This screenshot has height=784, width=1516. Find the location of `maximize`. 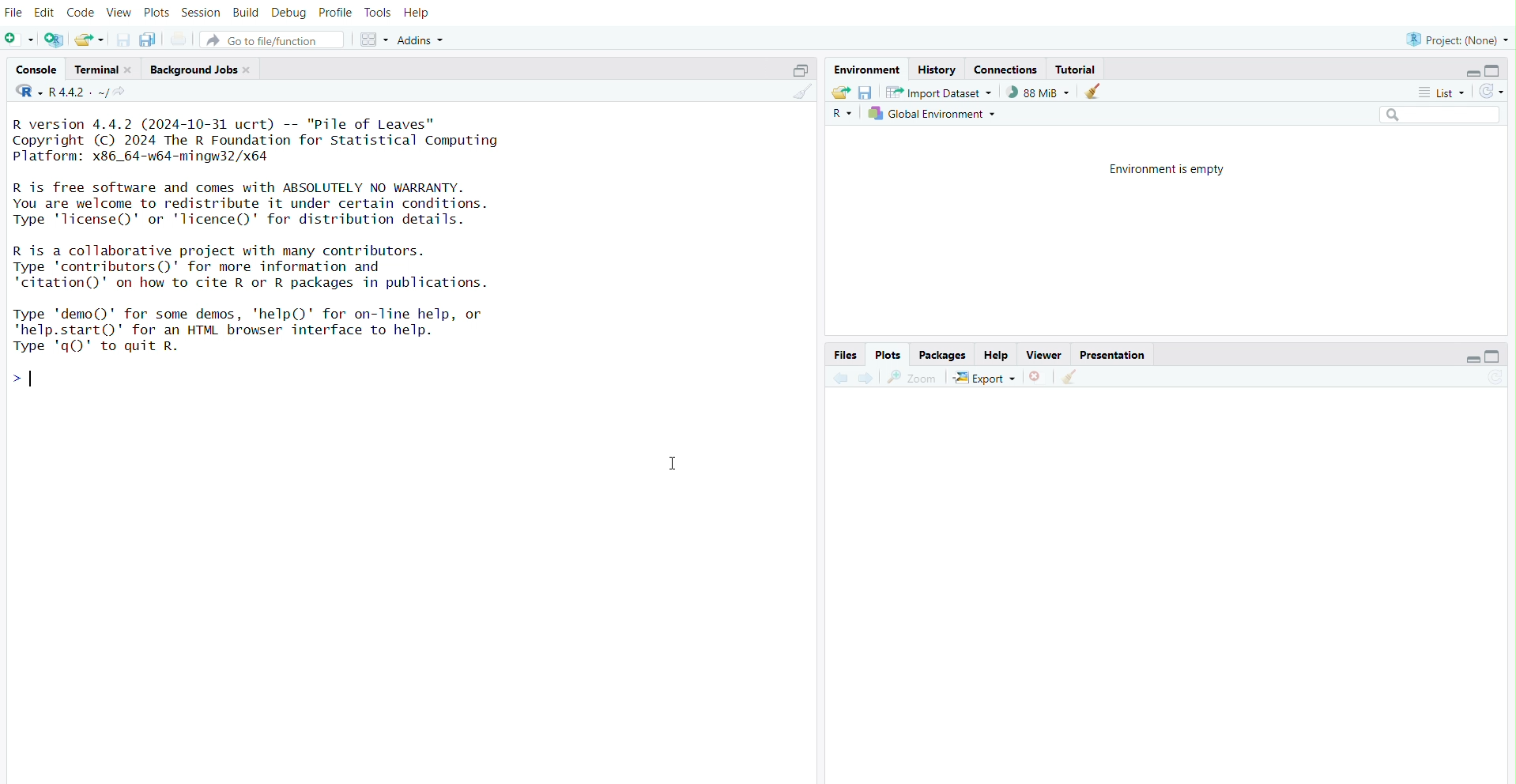

maximize is located at coordinates (799, 67).